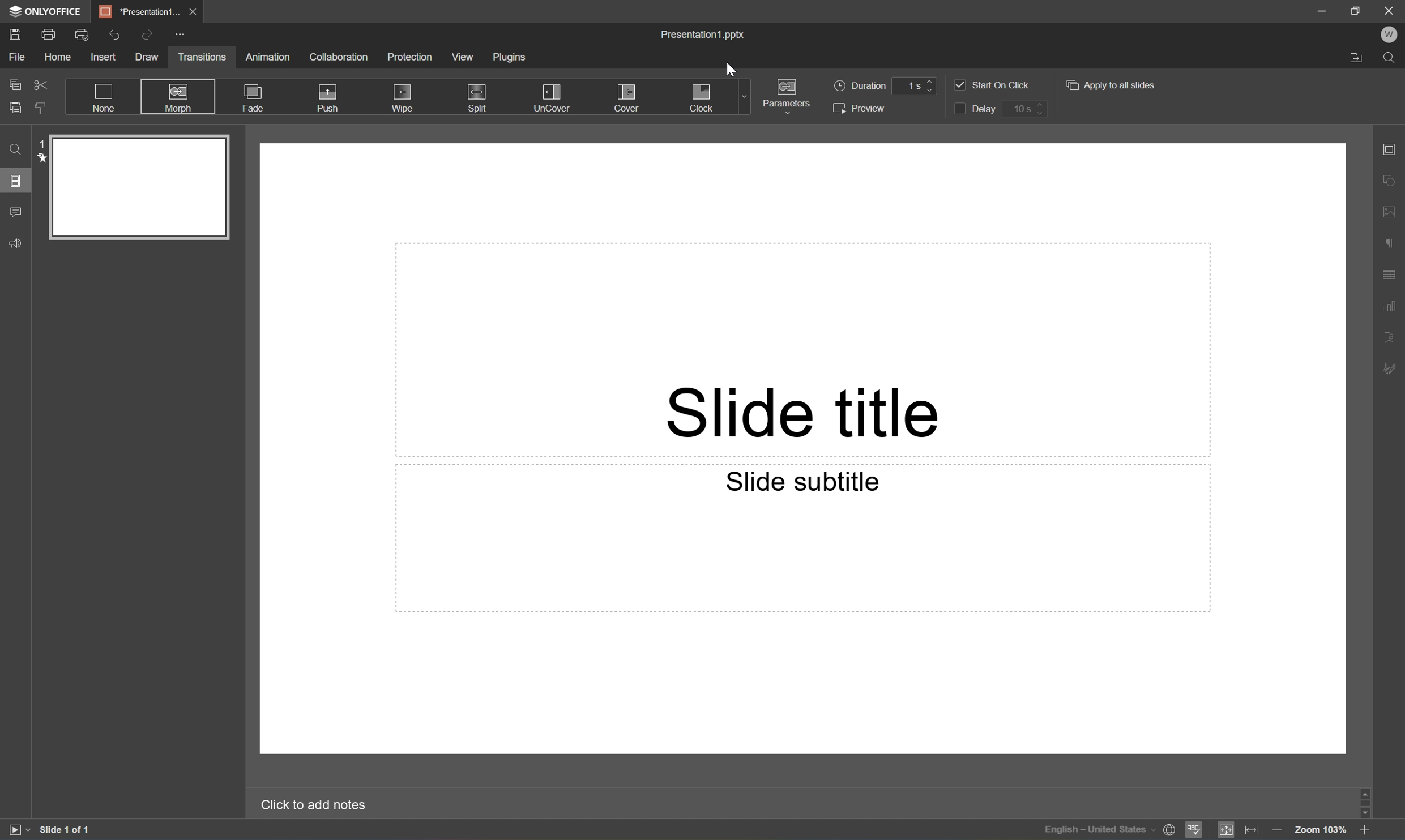 This screenshot has height=840, width=1405. Describe the element at coordinates (15, 57) in the screenshot. I see `File` at that location.